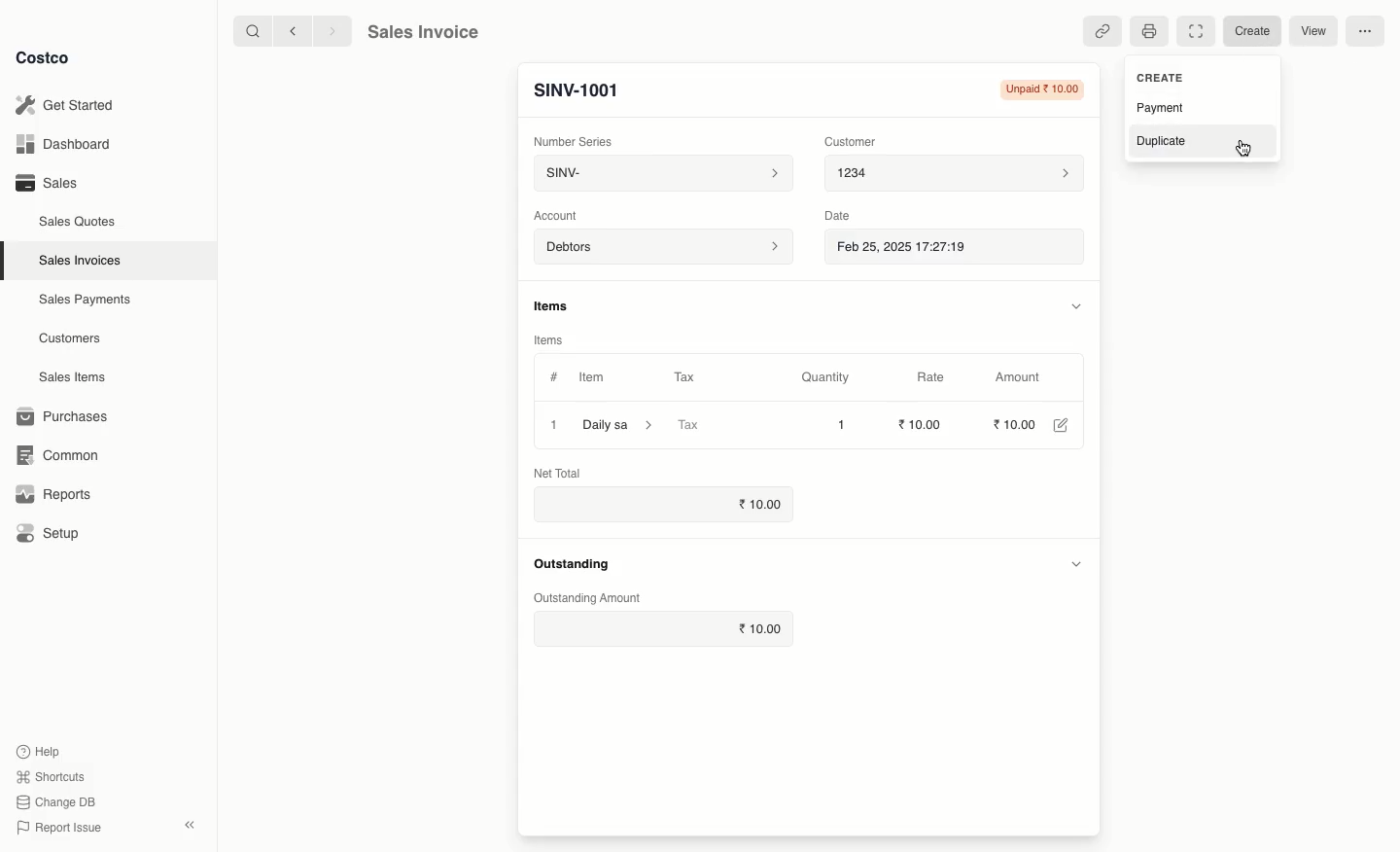 The image size is (1400, 852). What do you see at coordinates (852, 143) in the screenshot?
I see `Customer` at bounding box center [852, 143].